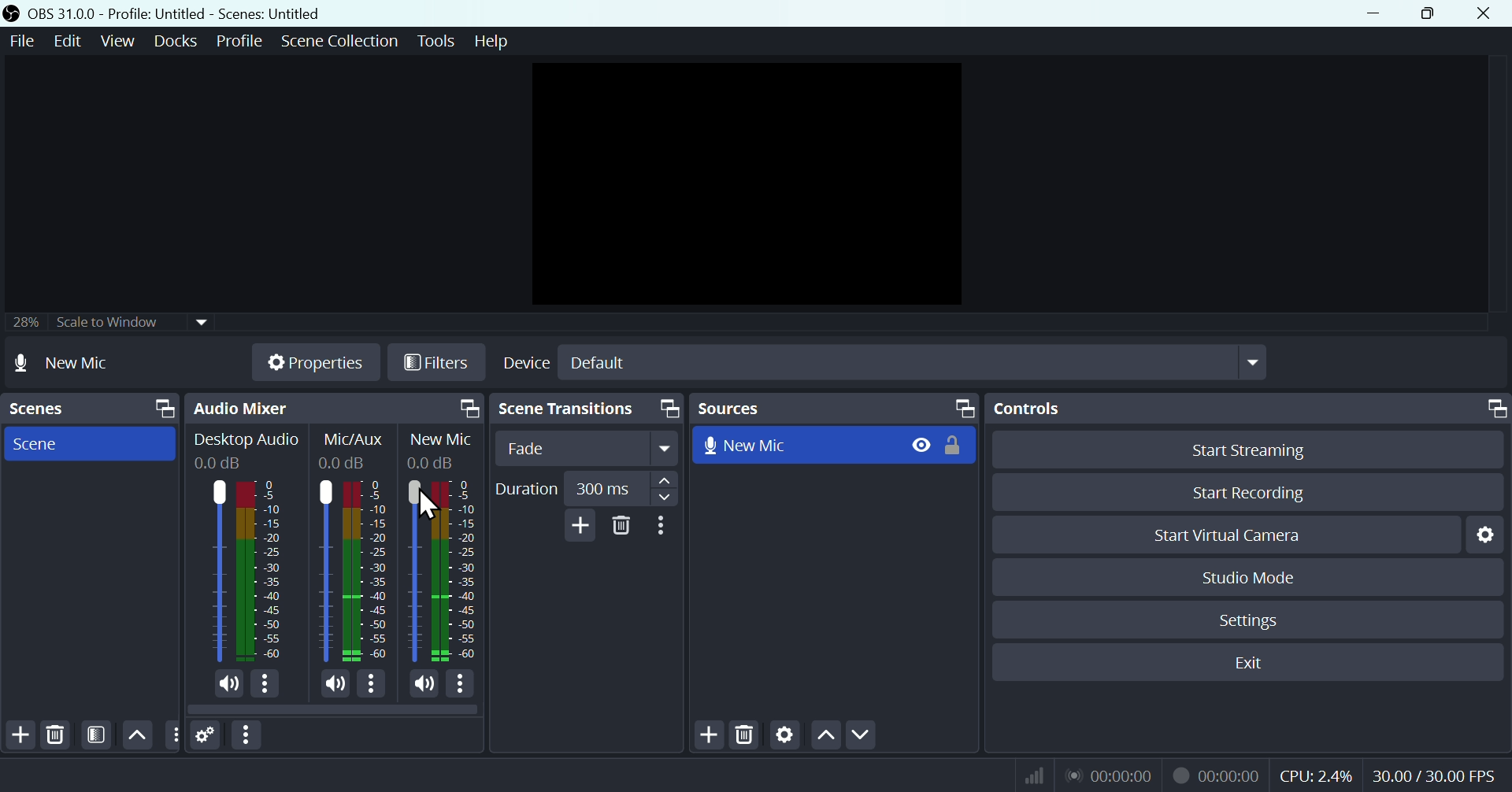  What do you see at coordinates (206, 736) in the screenshot?
I see `Settings` at bounding box center [206, 736].